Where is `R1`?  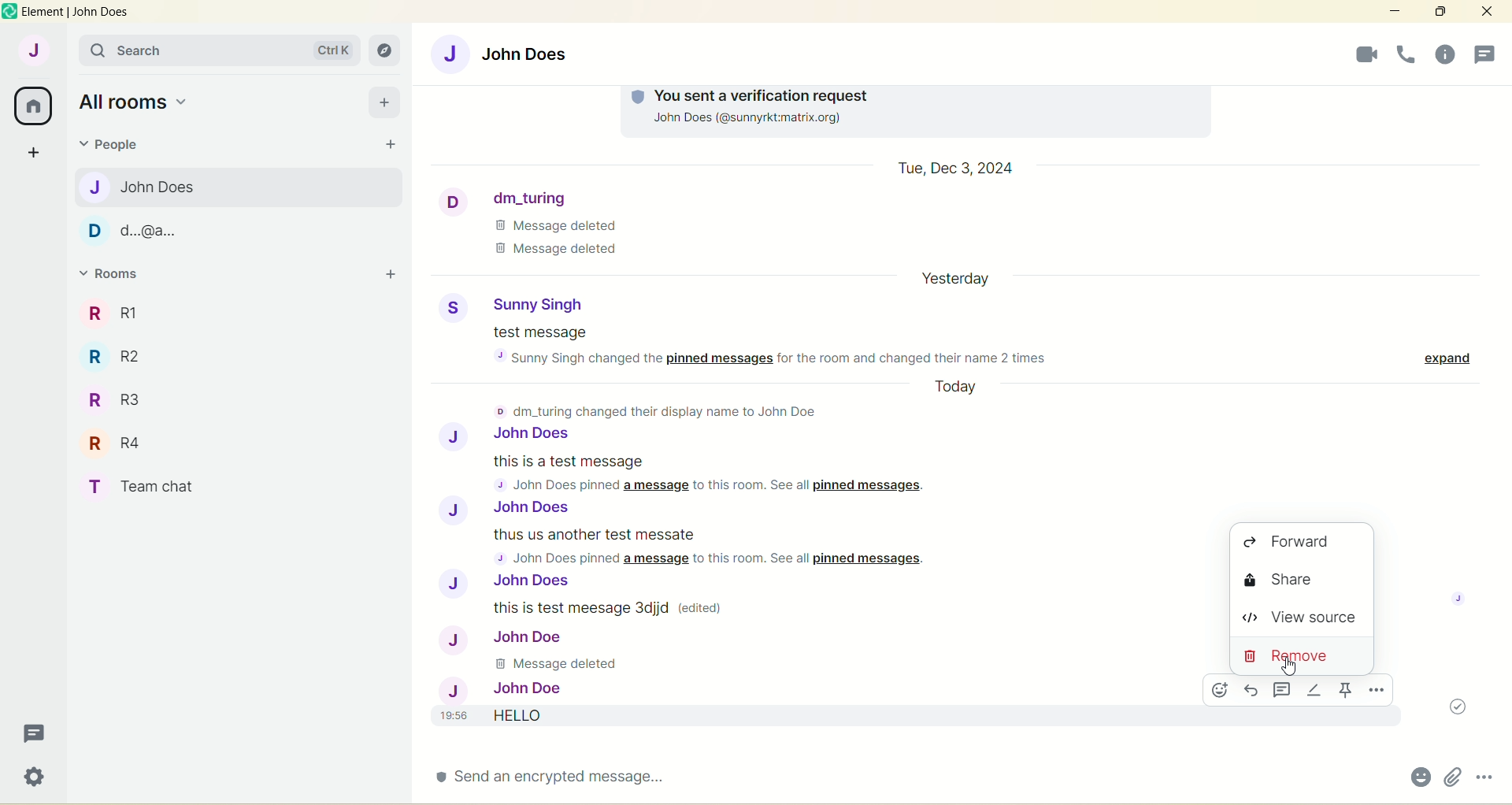
R1 is located at coordinates (136, 308).